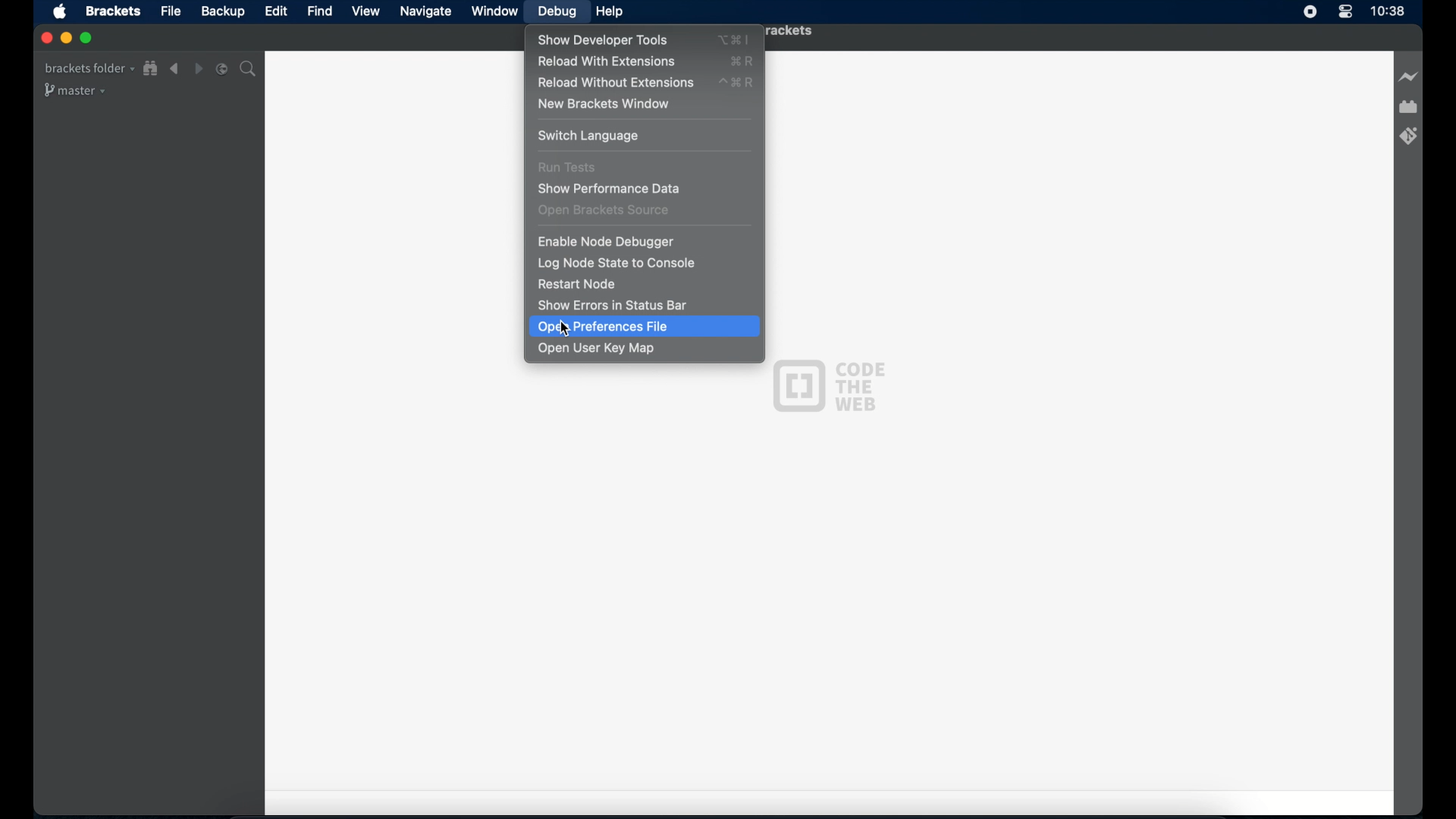 The width and height of the screenshot is (1456, 819). Describe the element at coordinates (617, 83) in the screenshot. I see `reload without extensions` at that location.